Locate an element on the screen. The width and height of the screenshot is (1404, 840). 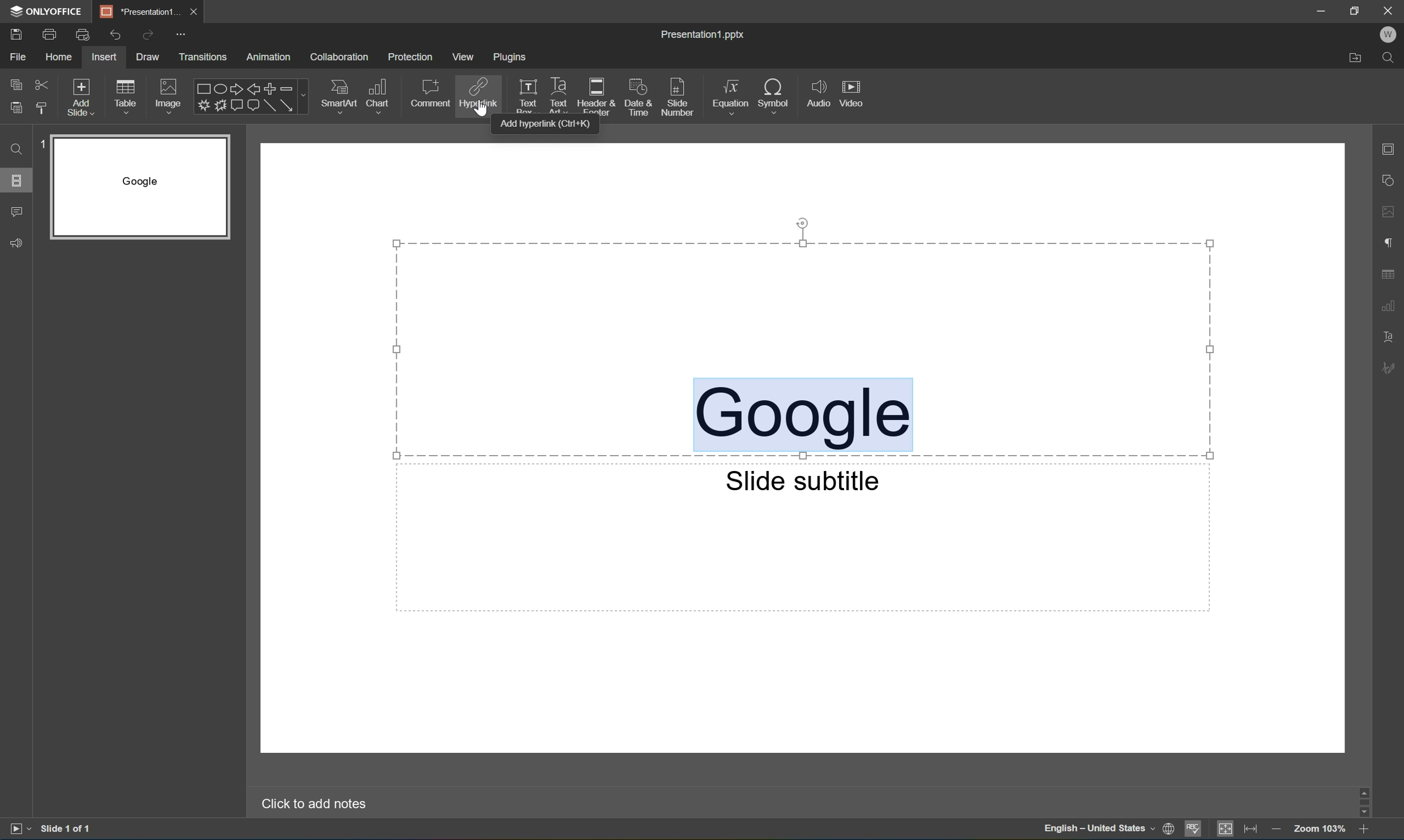
Image is located at coordinates (170, 96).